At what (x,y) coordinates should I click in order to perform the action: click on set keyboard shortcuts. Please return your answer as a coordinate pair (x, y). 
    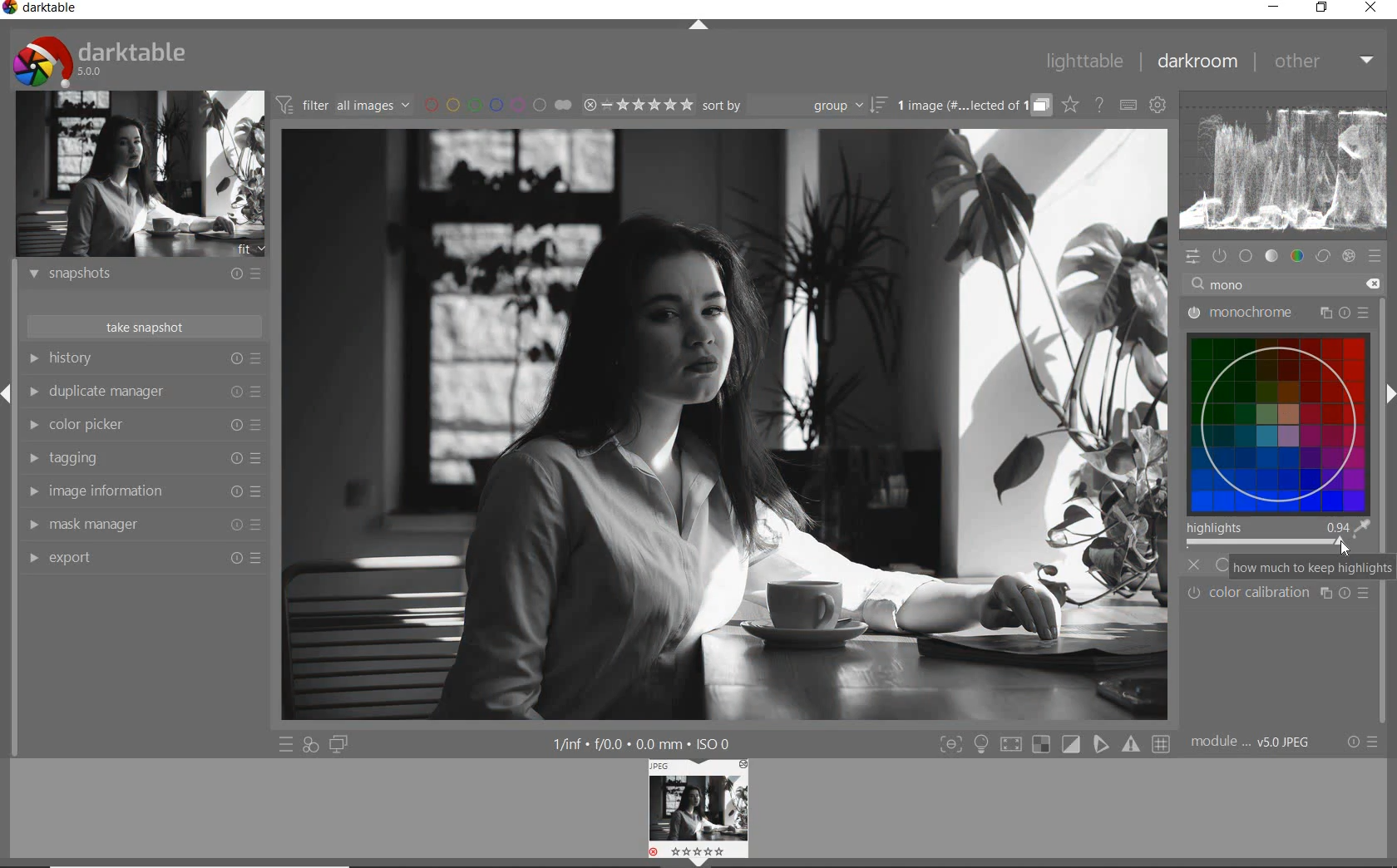
    Looking at the image, I should click on (1128, 105).